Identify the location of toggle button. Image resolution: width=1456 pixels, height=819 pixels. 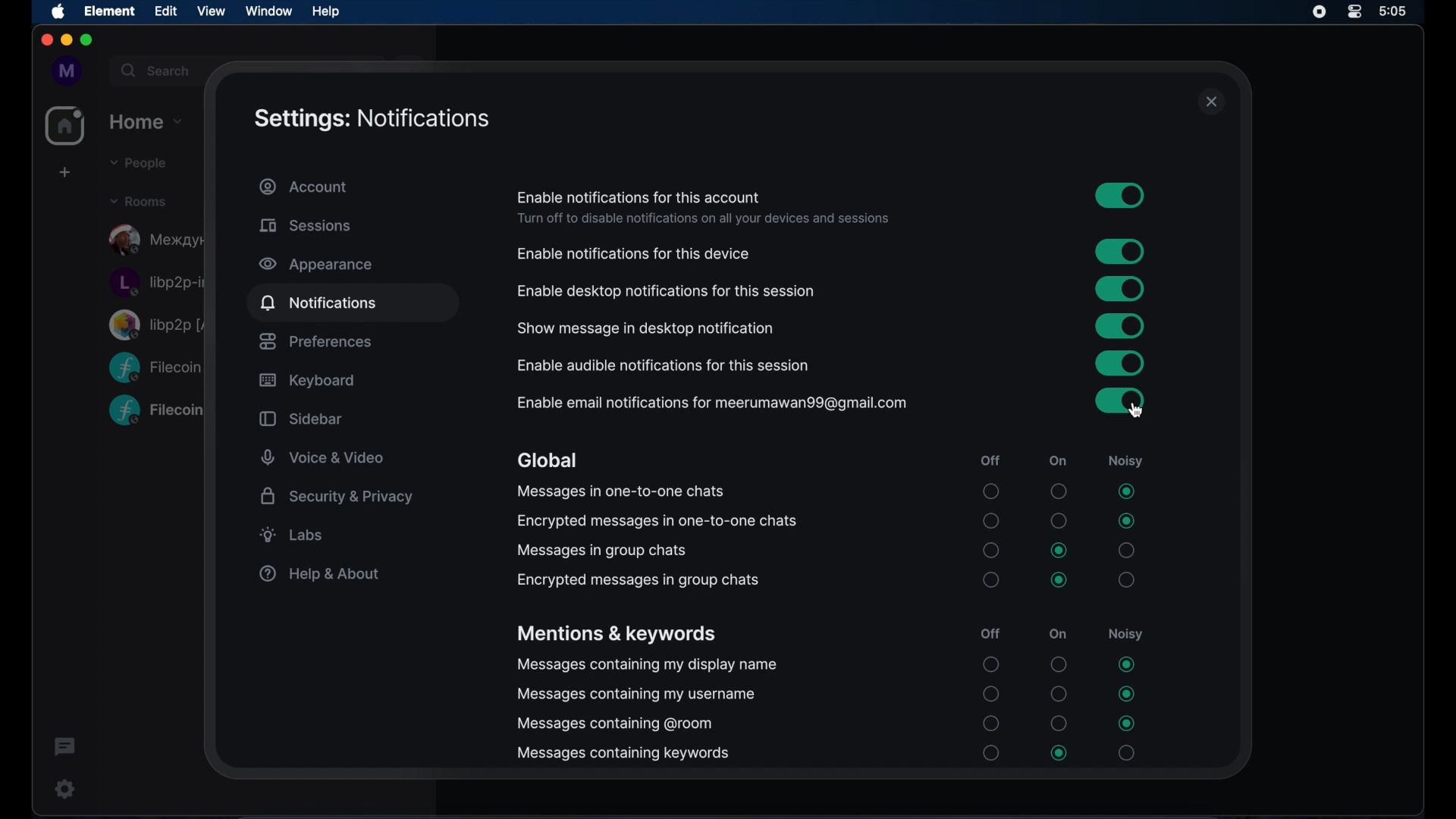
(1120, 289).